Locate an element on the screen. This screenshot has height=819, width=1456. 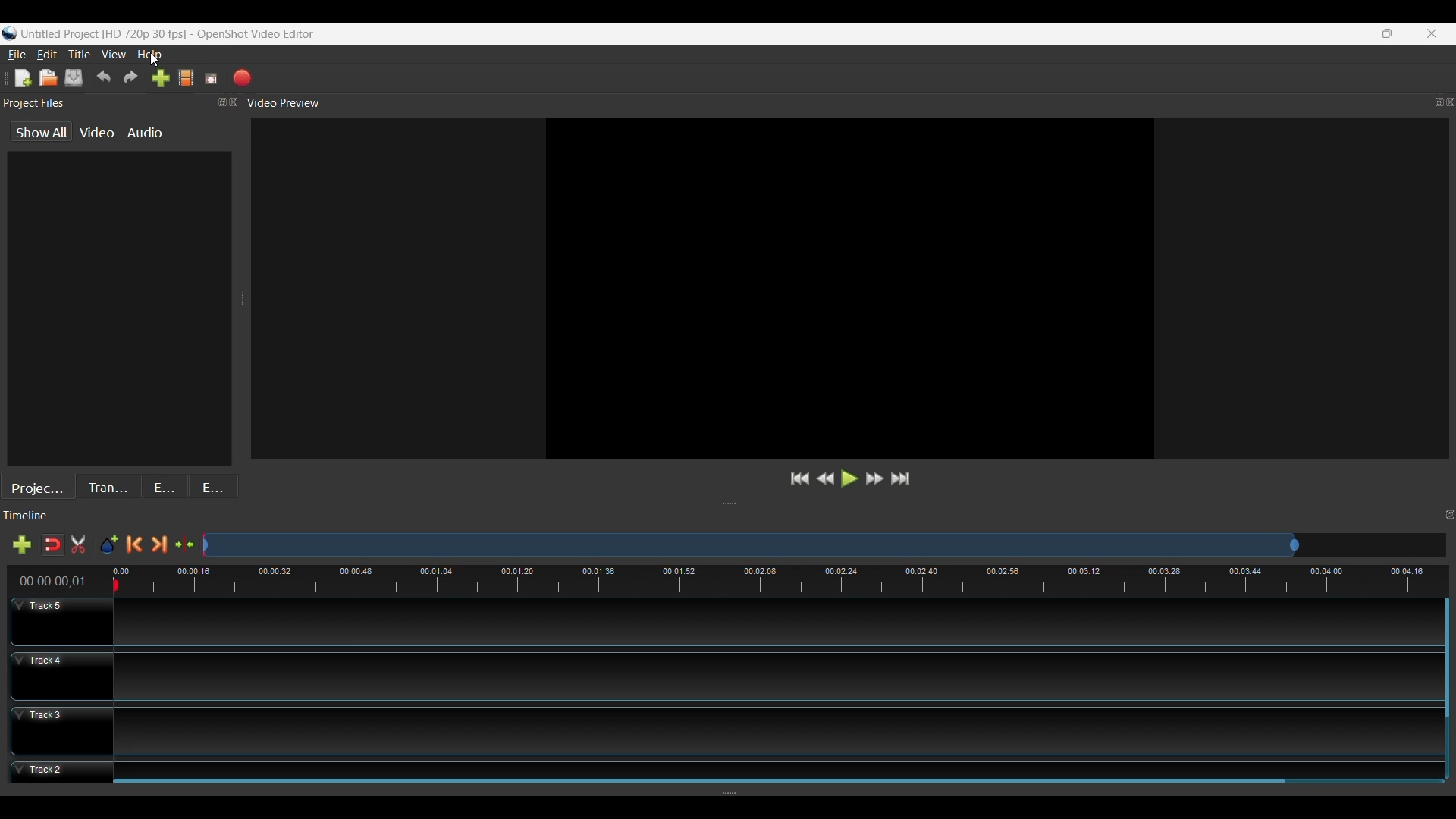
Edit is located at coordinates (47, 53).